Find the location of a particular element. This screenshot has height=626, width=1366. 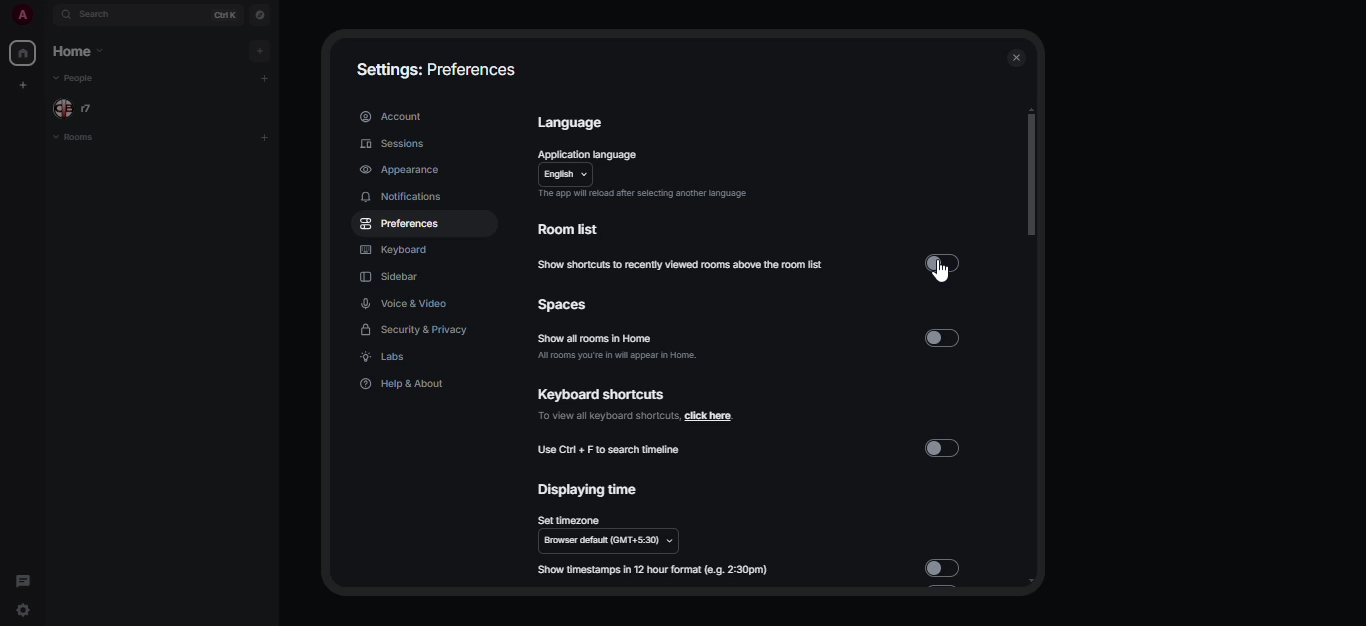

room list is located at coordinates (576, 229).